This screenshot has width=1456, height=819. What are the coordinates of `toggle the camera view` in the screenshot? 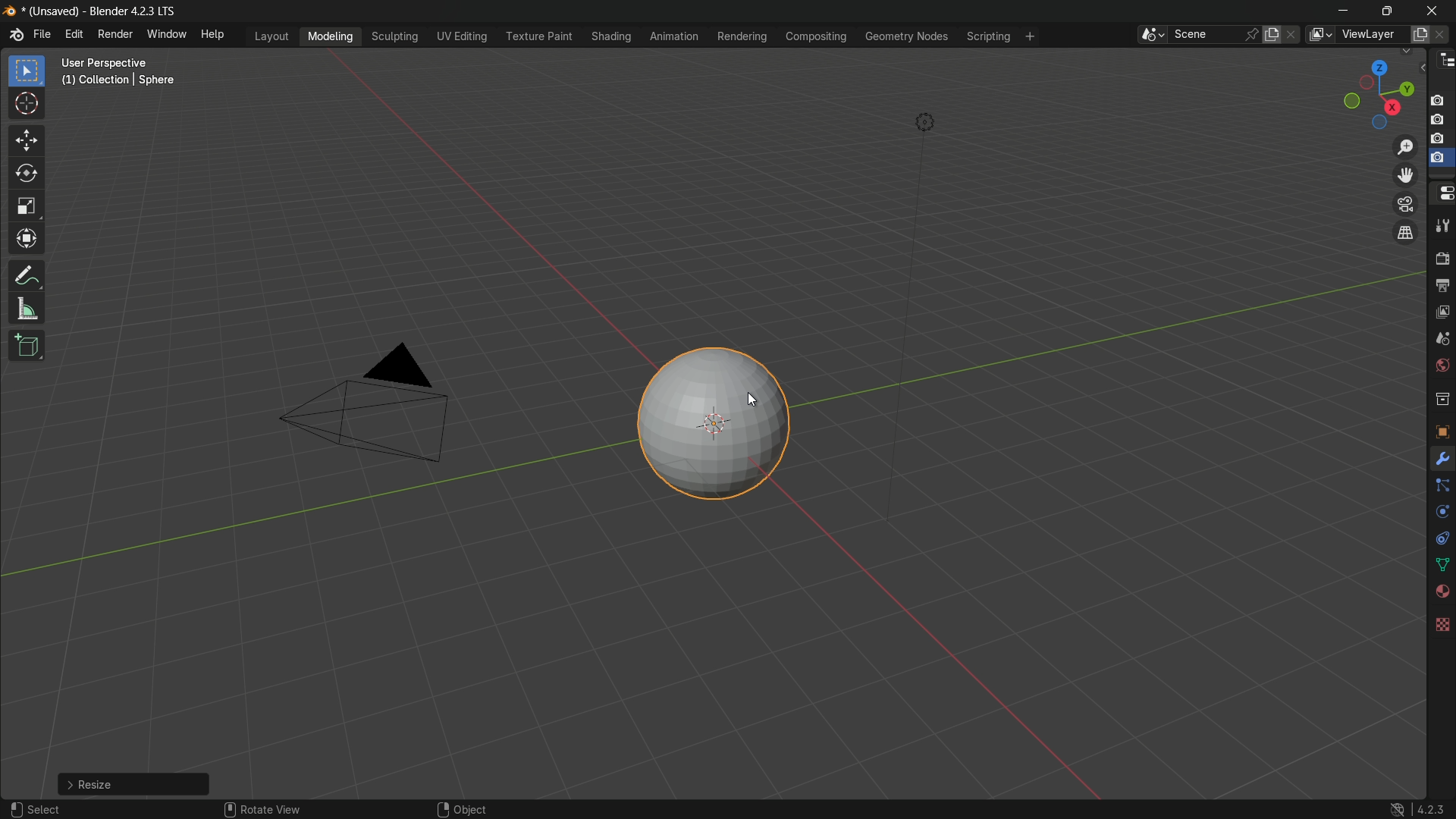 It's located at (1406, 204).